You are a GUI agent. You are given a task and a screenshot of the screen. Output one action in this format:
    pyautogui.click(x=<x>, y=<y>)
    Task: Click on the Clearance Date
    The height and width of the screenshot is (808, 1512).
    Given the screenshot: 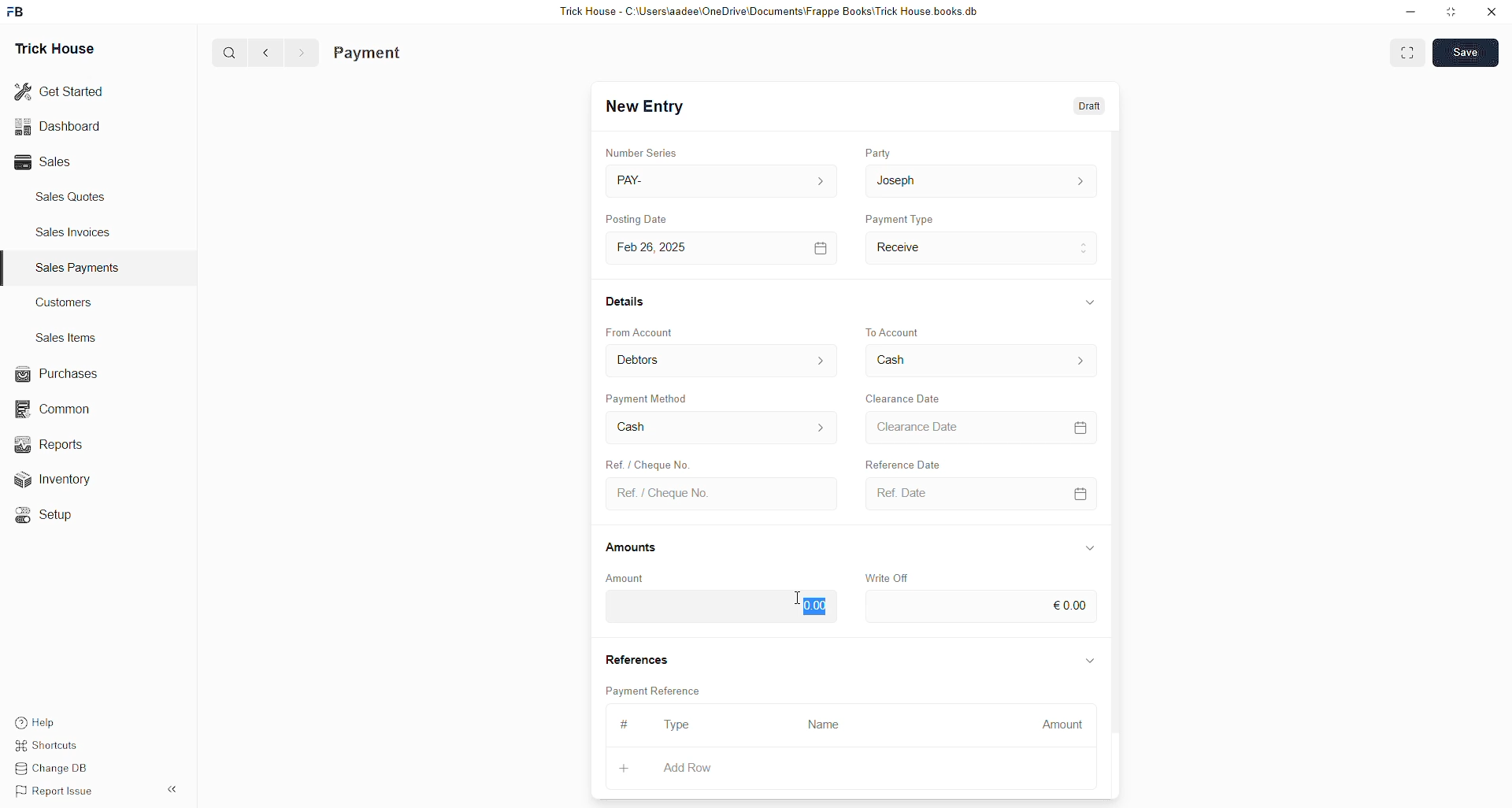 What is the action you would take?
    pyautogui.click(x=904, y=398)
    